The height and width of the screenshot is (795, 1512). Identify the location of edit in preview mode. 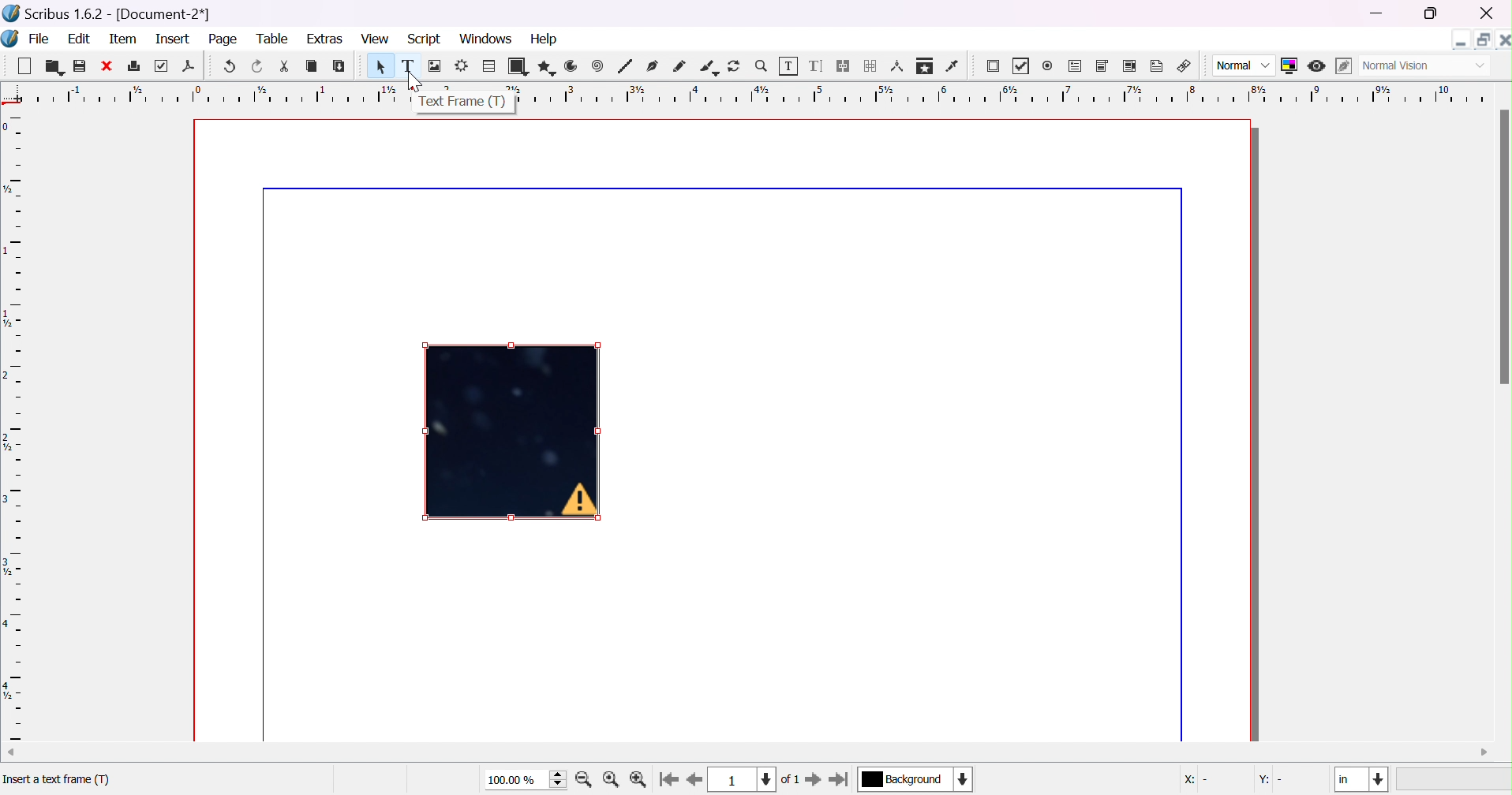
(1341, 66).